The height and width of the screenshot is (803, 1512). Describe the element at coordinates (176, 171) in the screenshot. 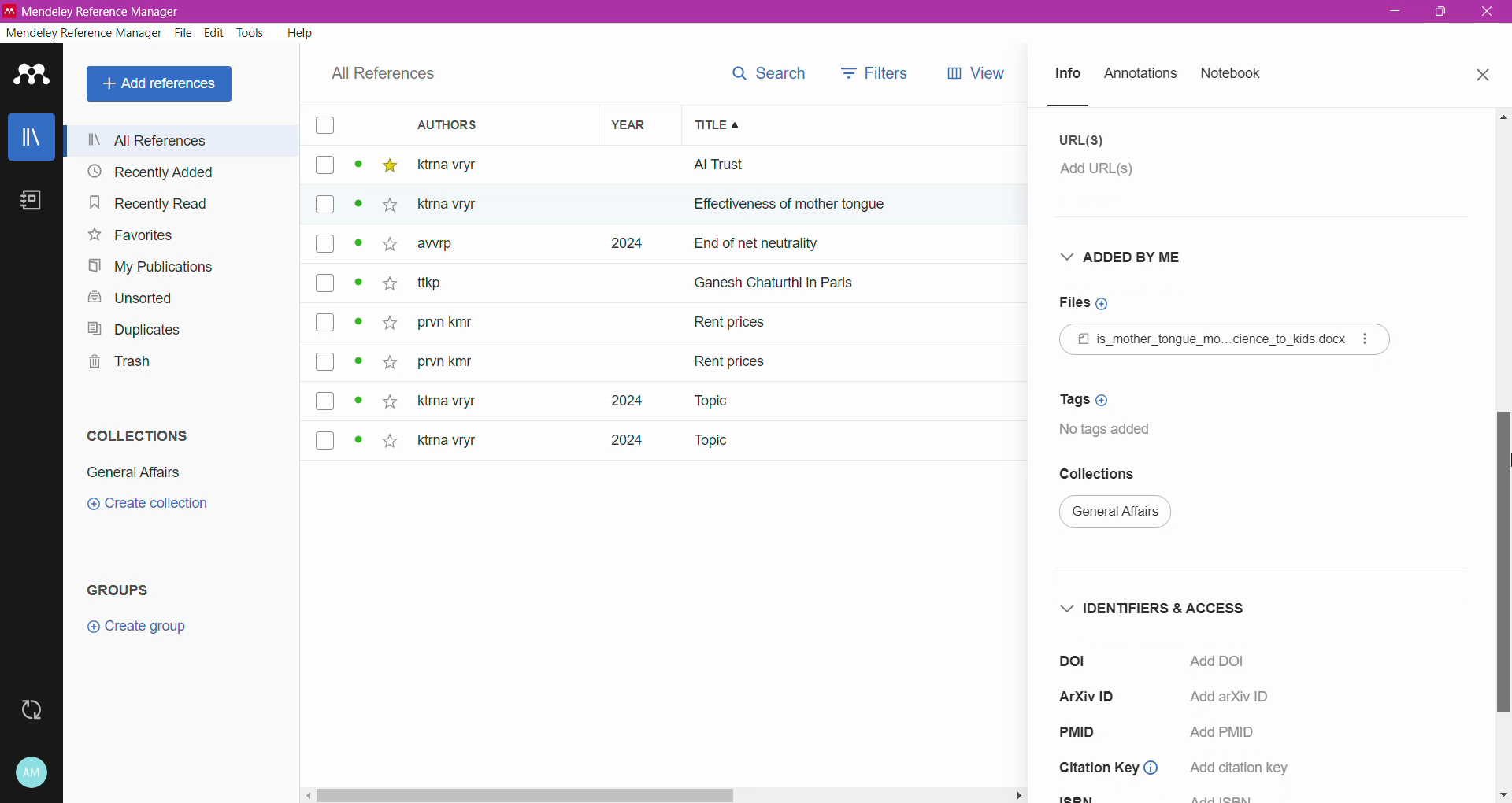

I see `Recently Added` at that location.